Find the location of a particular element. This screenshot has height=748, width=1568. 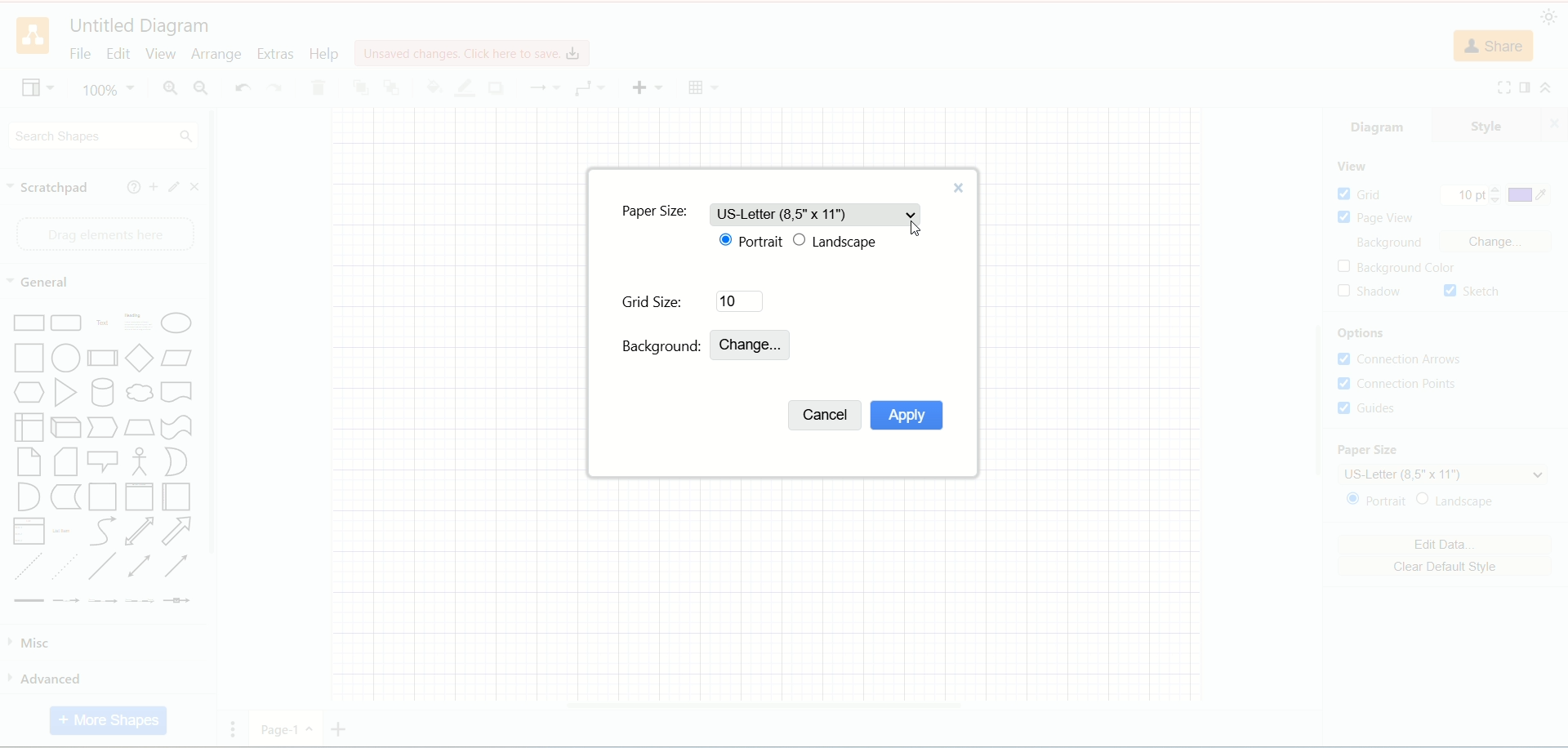

List Item is located at coordinates (60, 529).